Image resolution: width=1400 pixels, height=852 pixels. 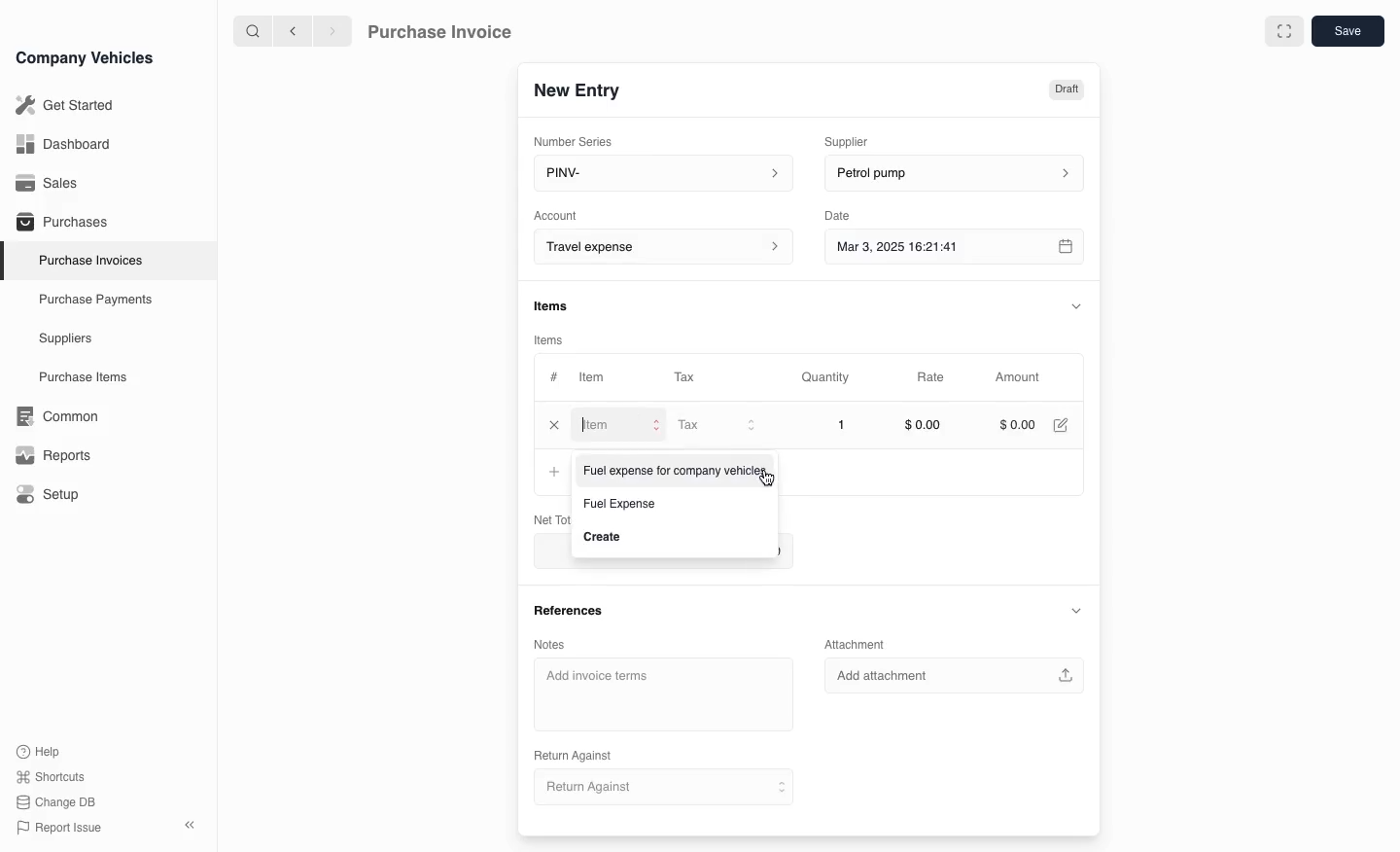 I want to click on Purchase Invoice, so click(x=453, y=30).